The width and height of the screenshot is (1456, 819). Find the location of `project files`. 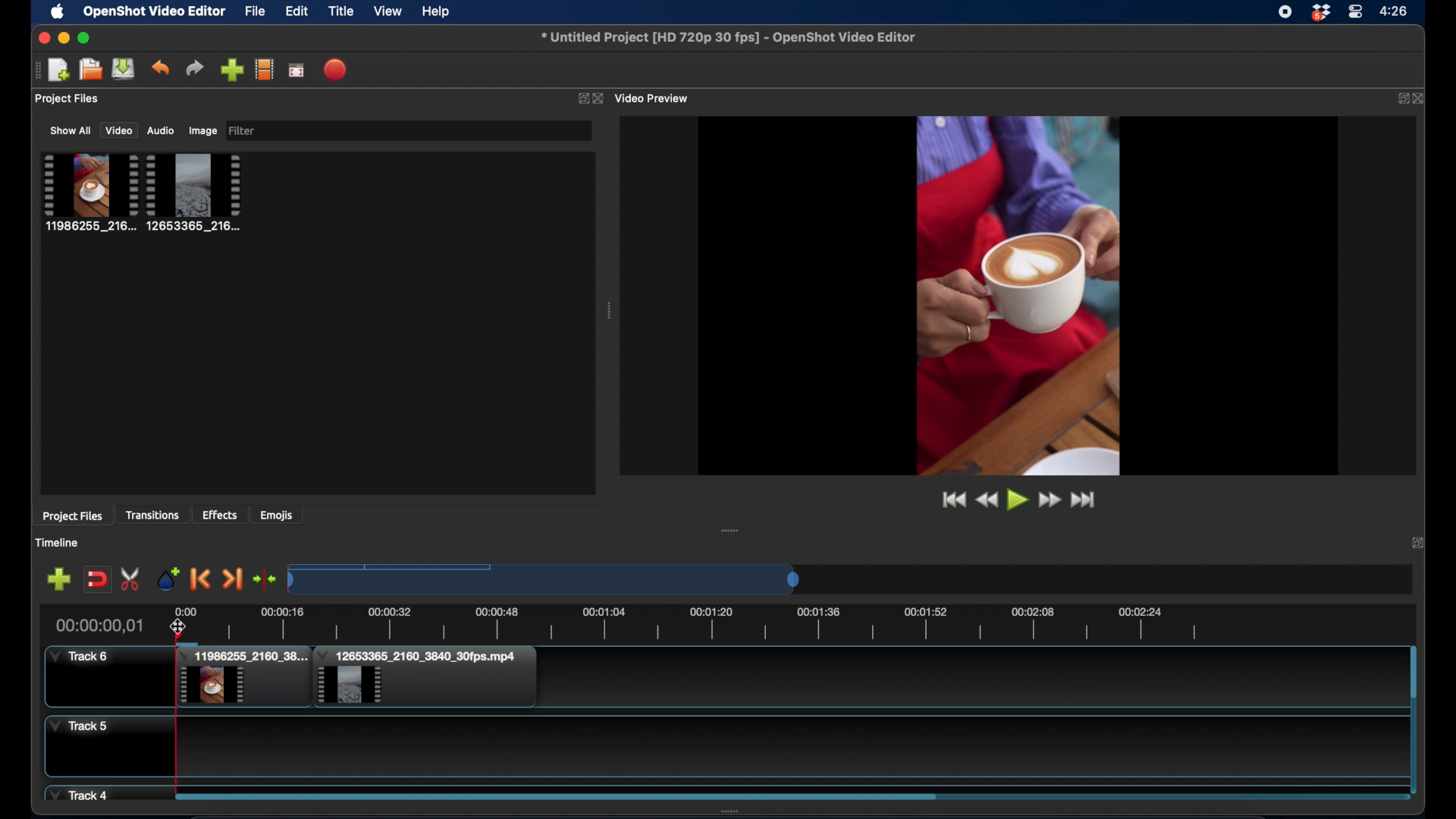

project files is located at coordinates (72, 516).